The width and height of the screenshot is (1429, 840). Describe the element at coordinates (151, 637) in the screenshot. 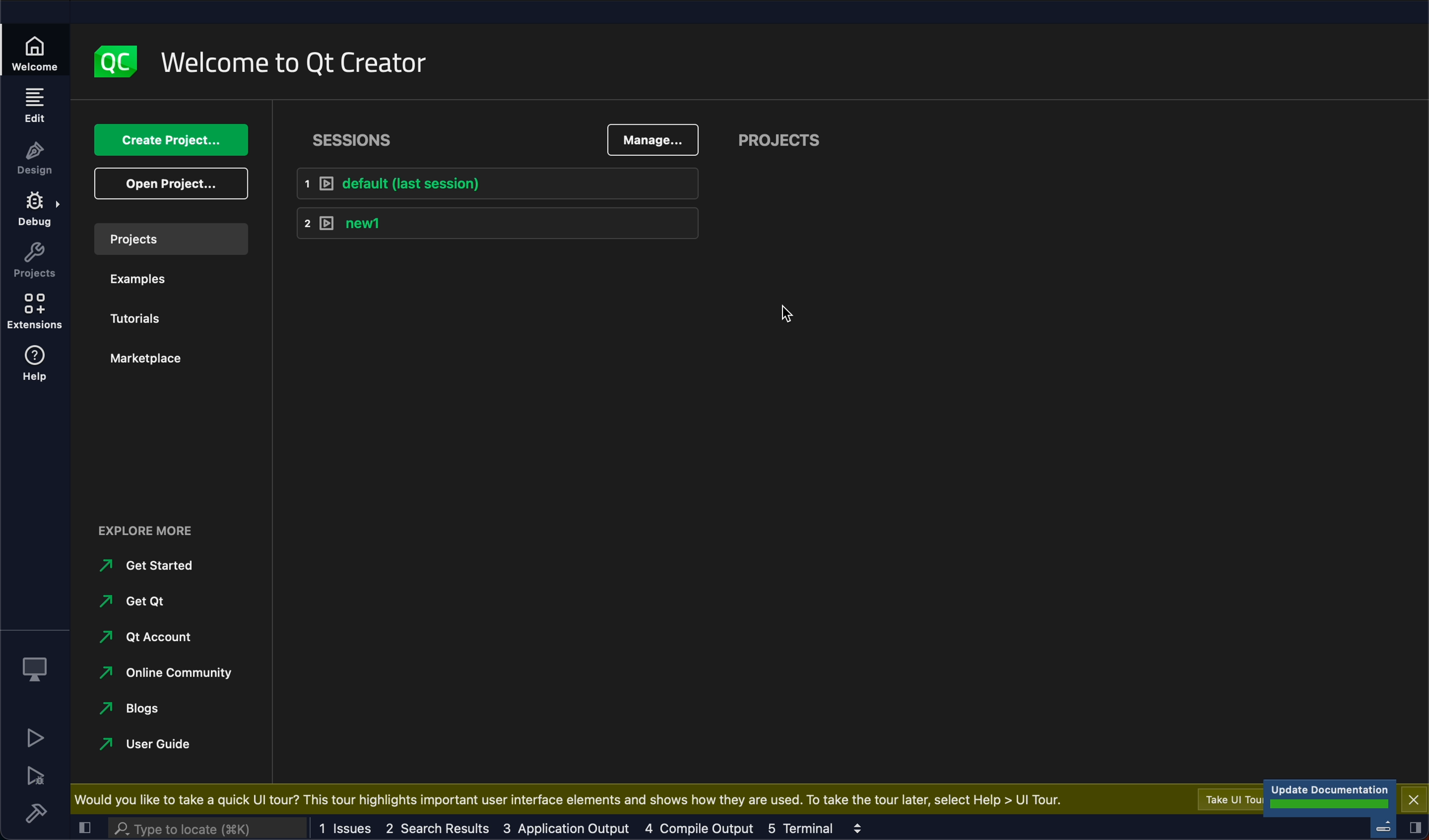

I see `qt account` at that location.